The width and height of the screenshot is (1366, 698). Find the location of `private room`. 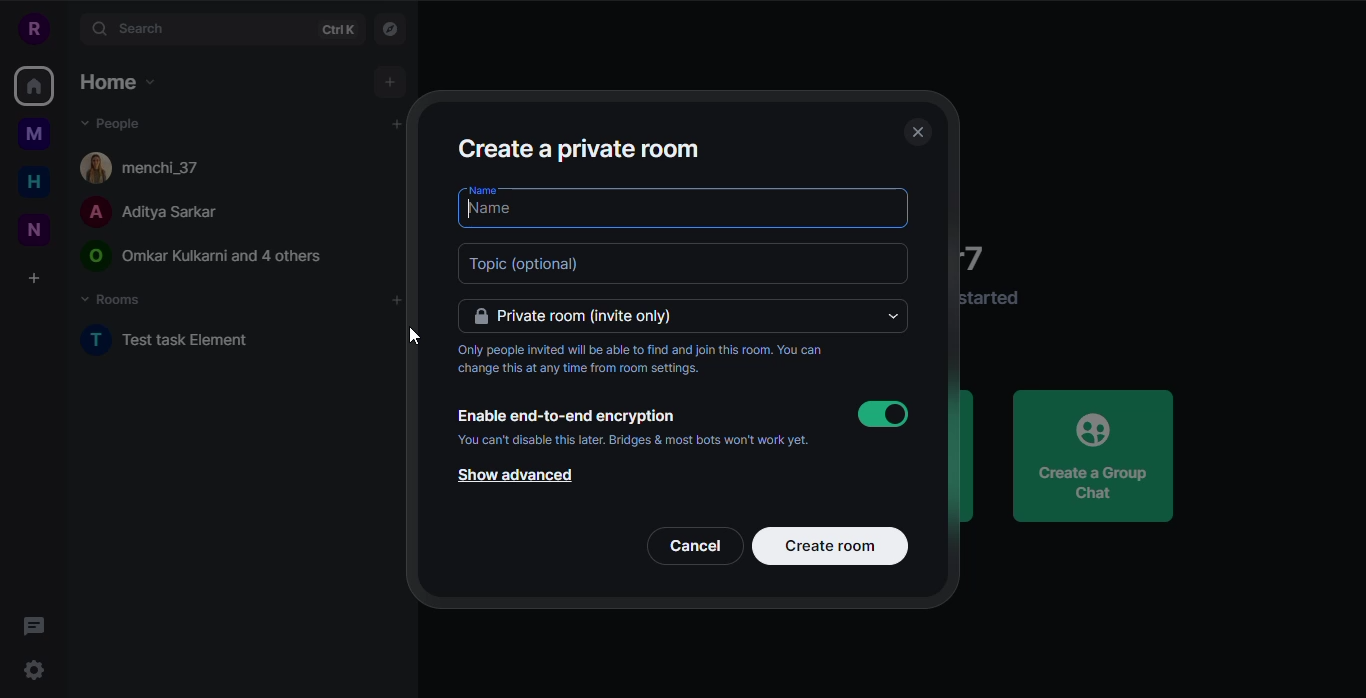

private room is located at coordinates (584, 317).